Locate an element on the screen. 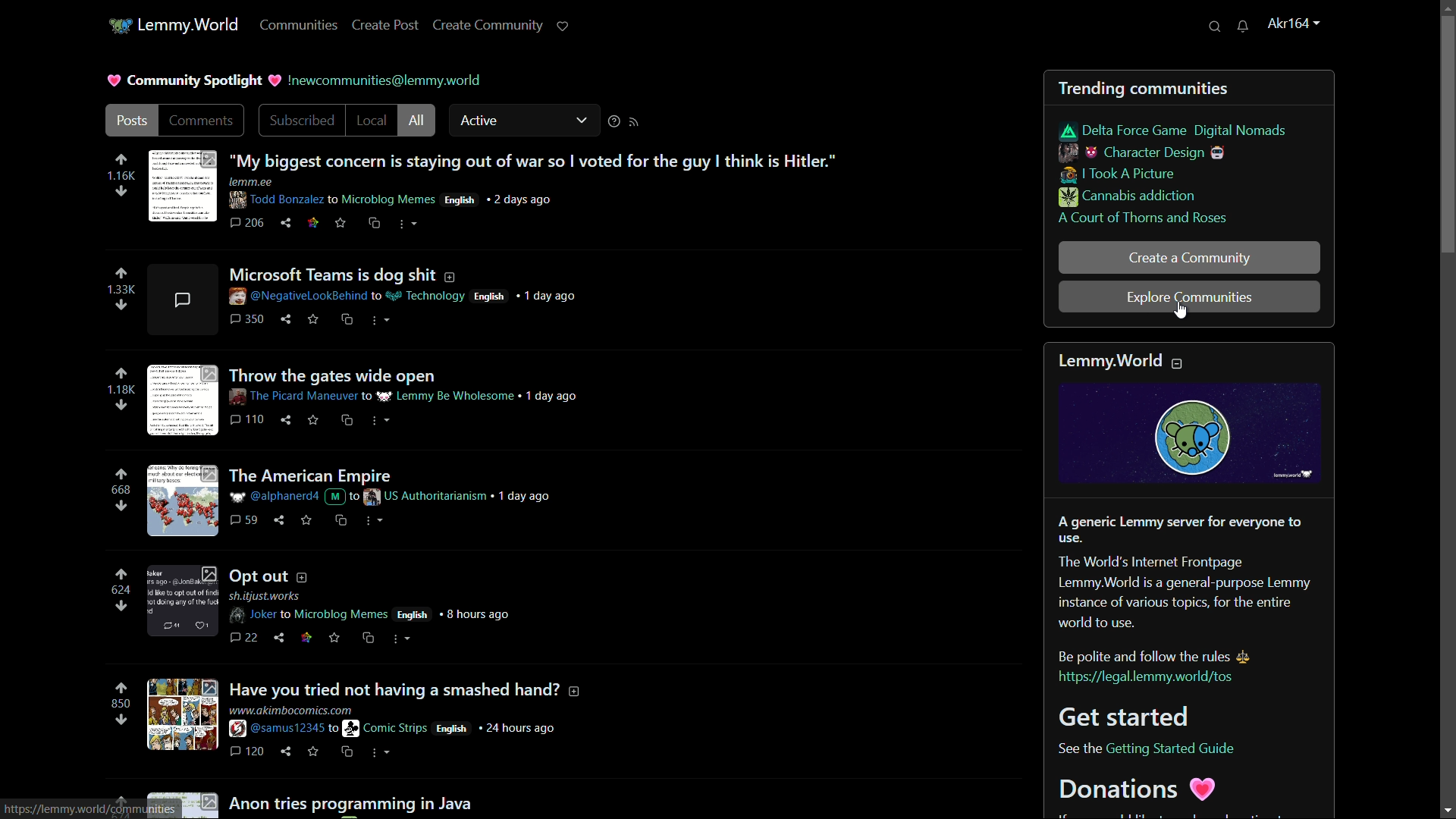  upvote is located at coordinates (121, 273).